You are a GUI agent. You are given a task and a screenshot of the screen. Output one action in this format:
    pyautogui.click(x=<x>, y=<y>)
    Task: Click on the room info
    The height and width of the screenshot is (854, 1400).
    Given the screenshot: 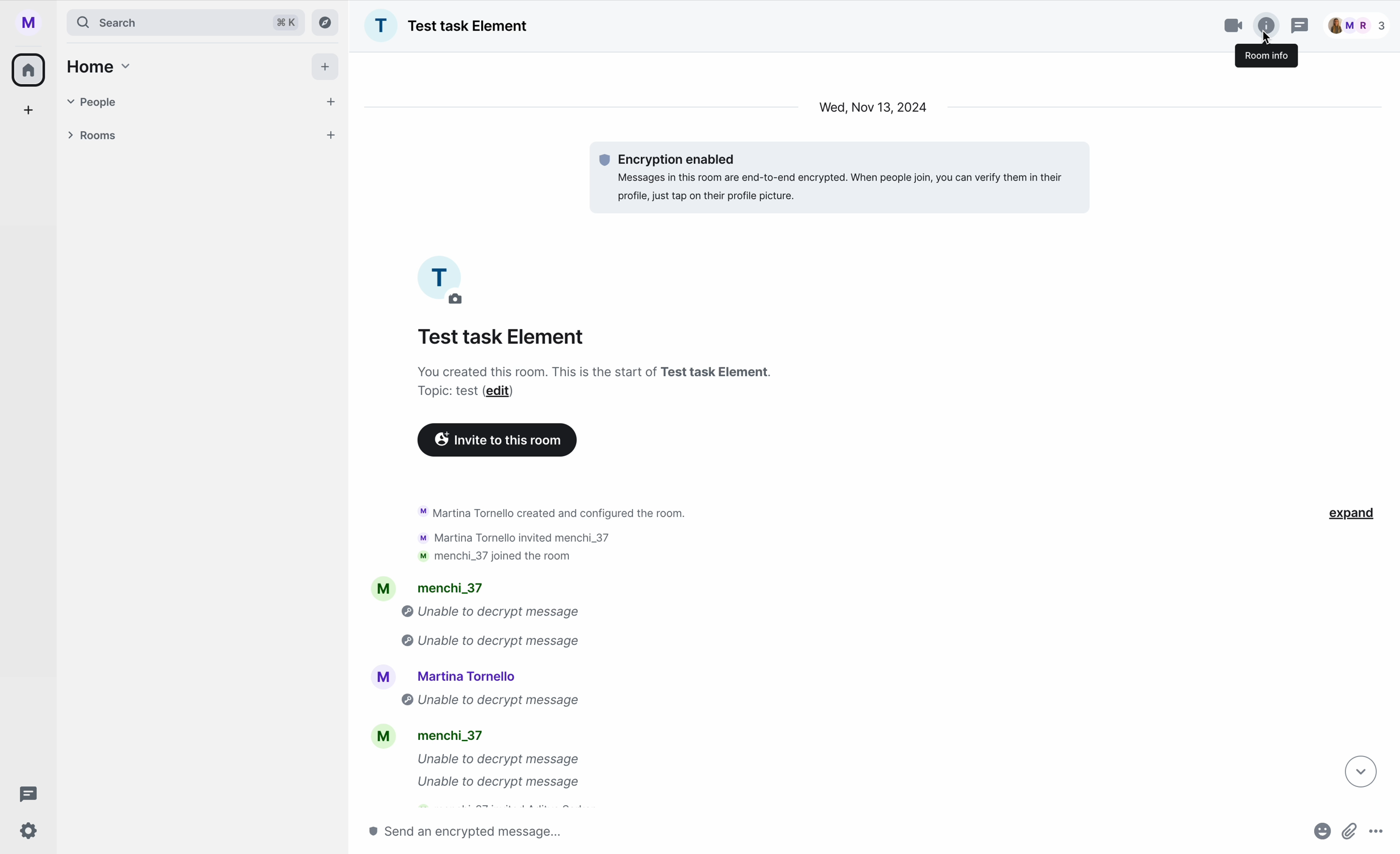 What is the action you would take?
    pyautogui.click(x=1266, y=57)
    